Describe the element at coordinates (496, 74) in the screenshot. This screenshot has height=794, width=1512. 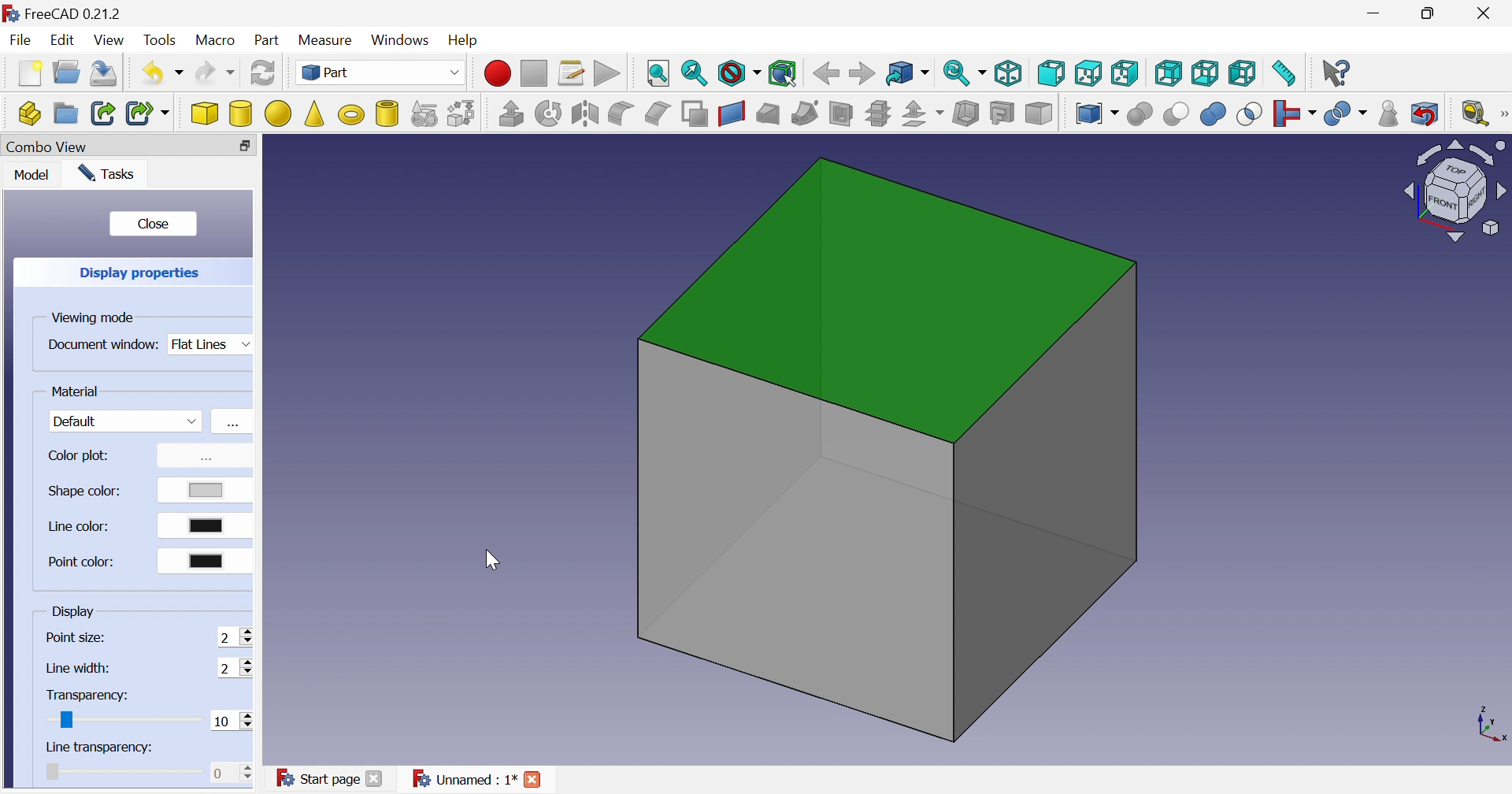
I see `Macro recording` at that location.